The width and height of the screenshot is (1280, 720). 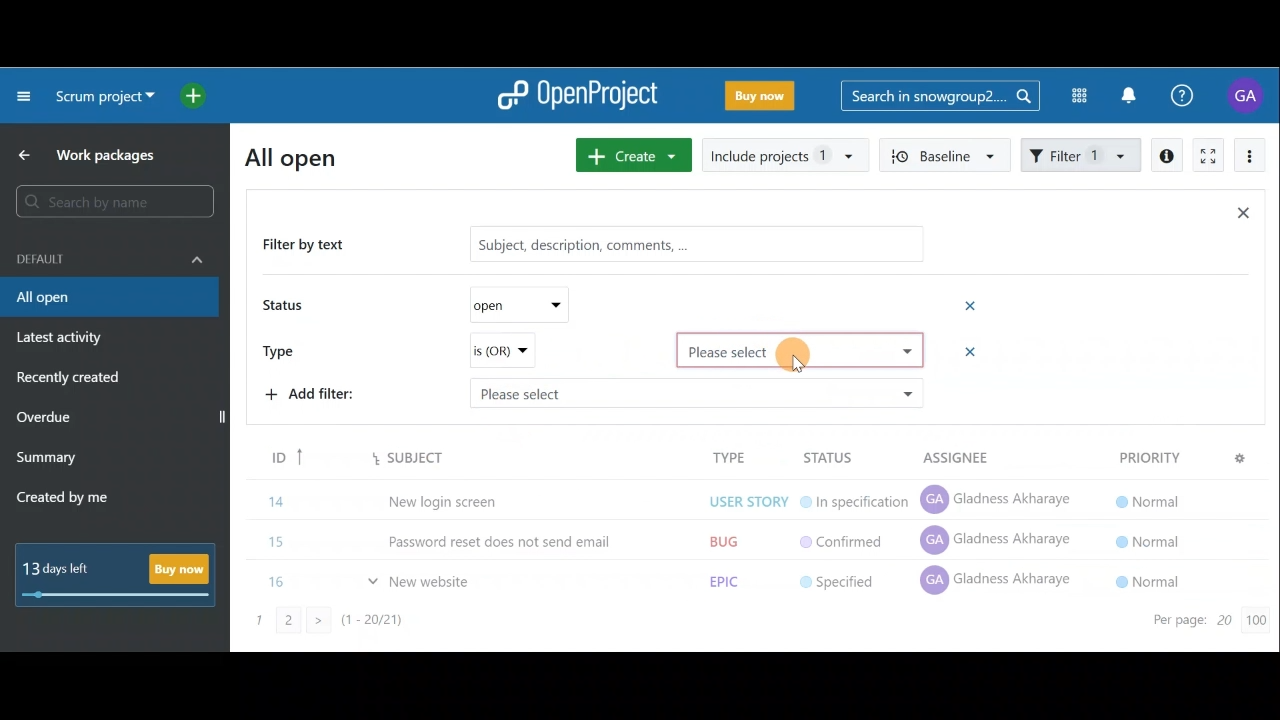 What do you see at coordinates (91, 155) in the screenshot?
I see `Work packages` at bounding box center [91, 155].